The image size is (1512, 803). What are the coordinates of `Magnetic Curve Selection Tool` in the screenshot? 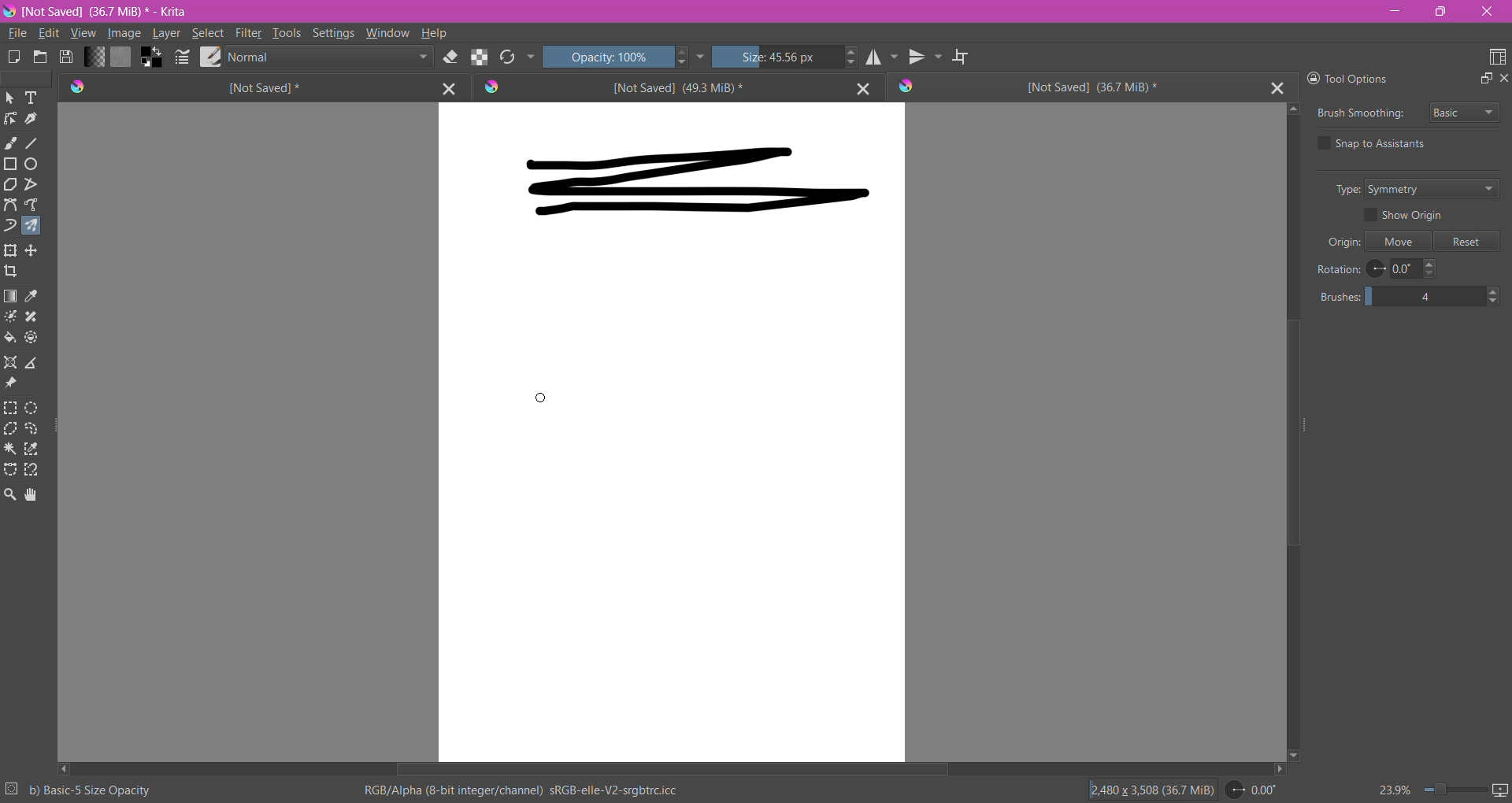 It's located at (31, 470).